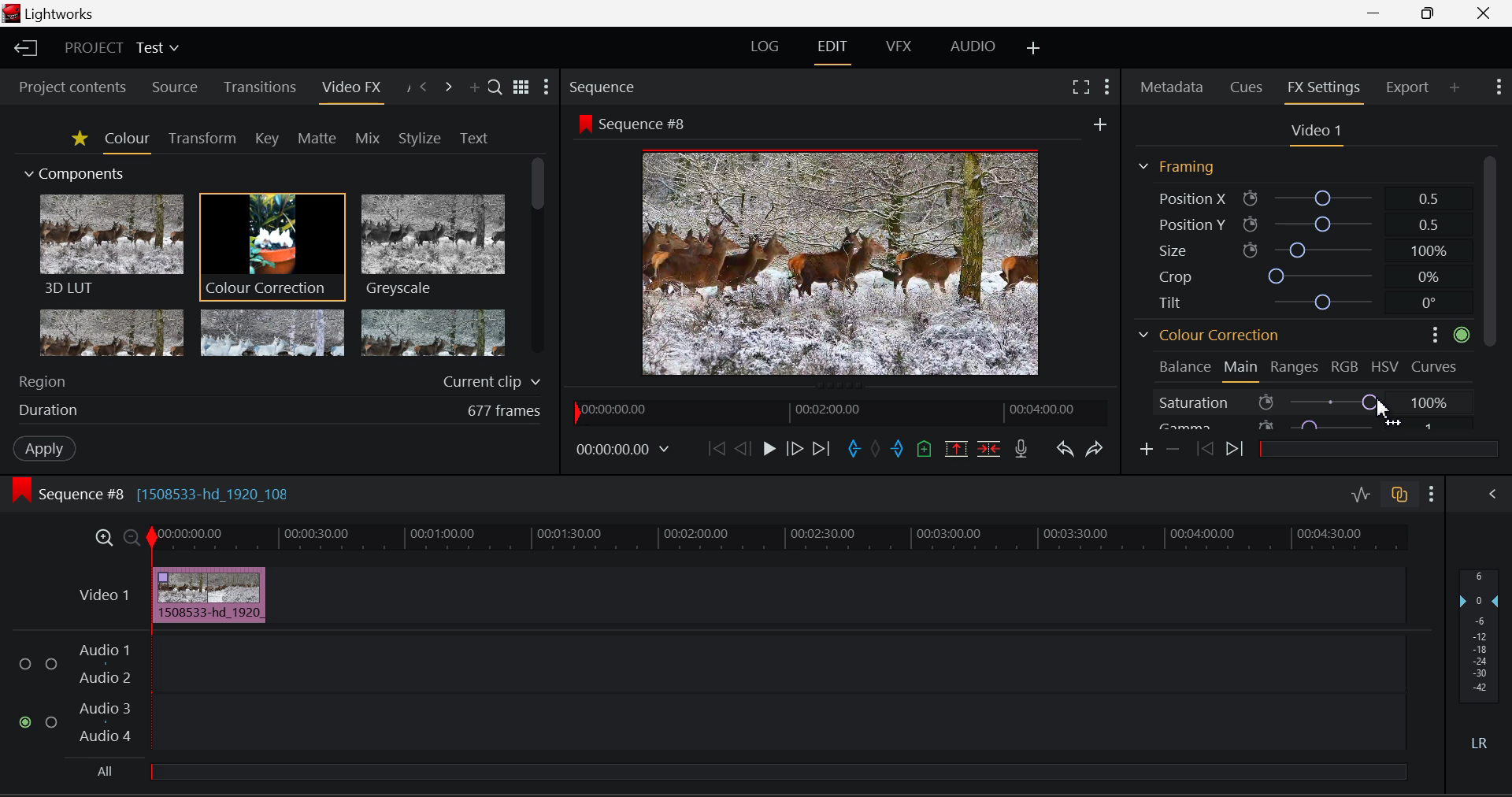 Image resolution: width=1512 pixels, height=797 pixels. I want to click on Restore Down, so click(1377, 13).